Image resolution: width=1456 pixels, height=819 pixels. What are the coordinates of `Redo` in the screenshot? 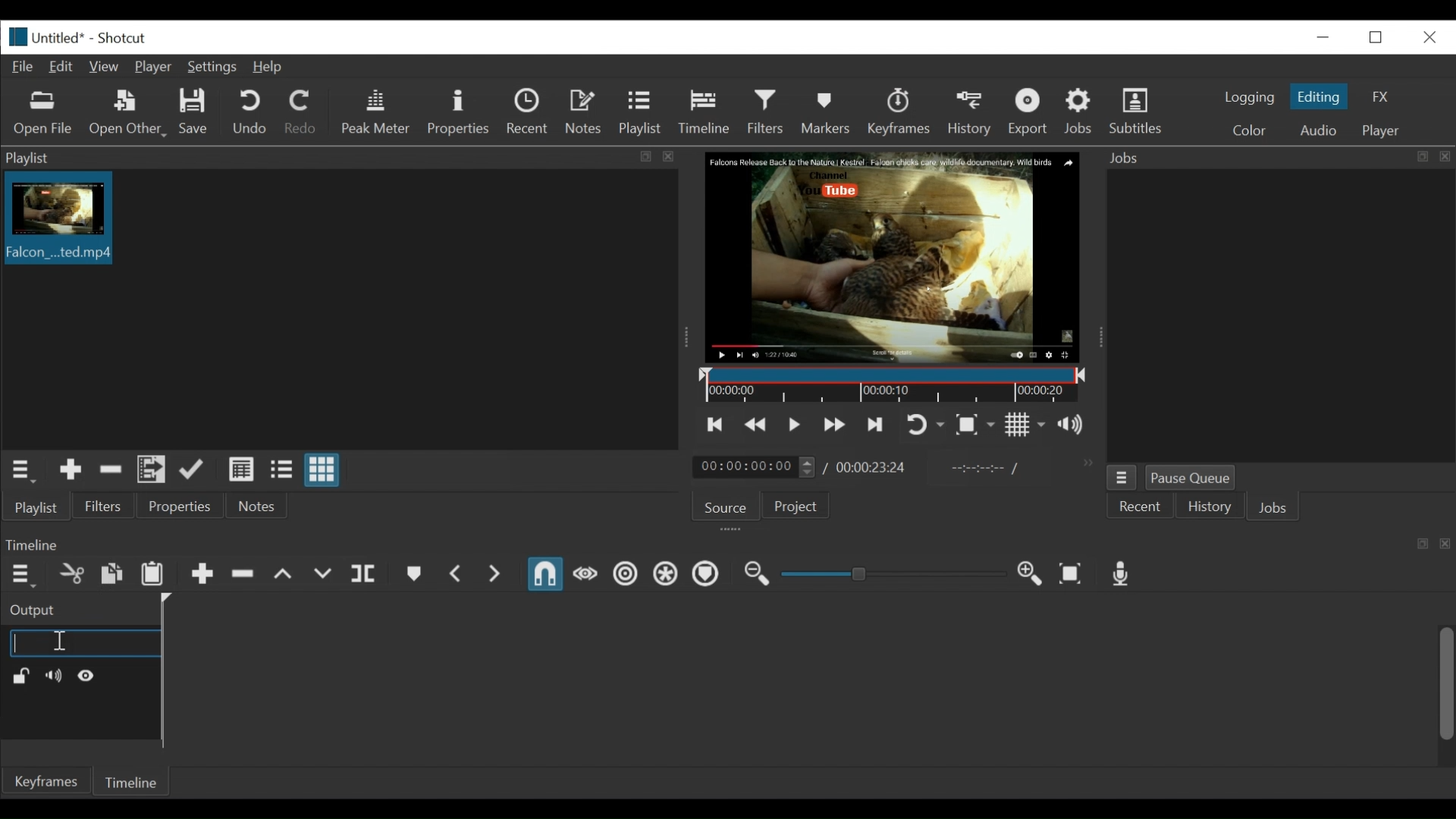 It's located at (300, 111).